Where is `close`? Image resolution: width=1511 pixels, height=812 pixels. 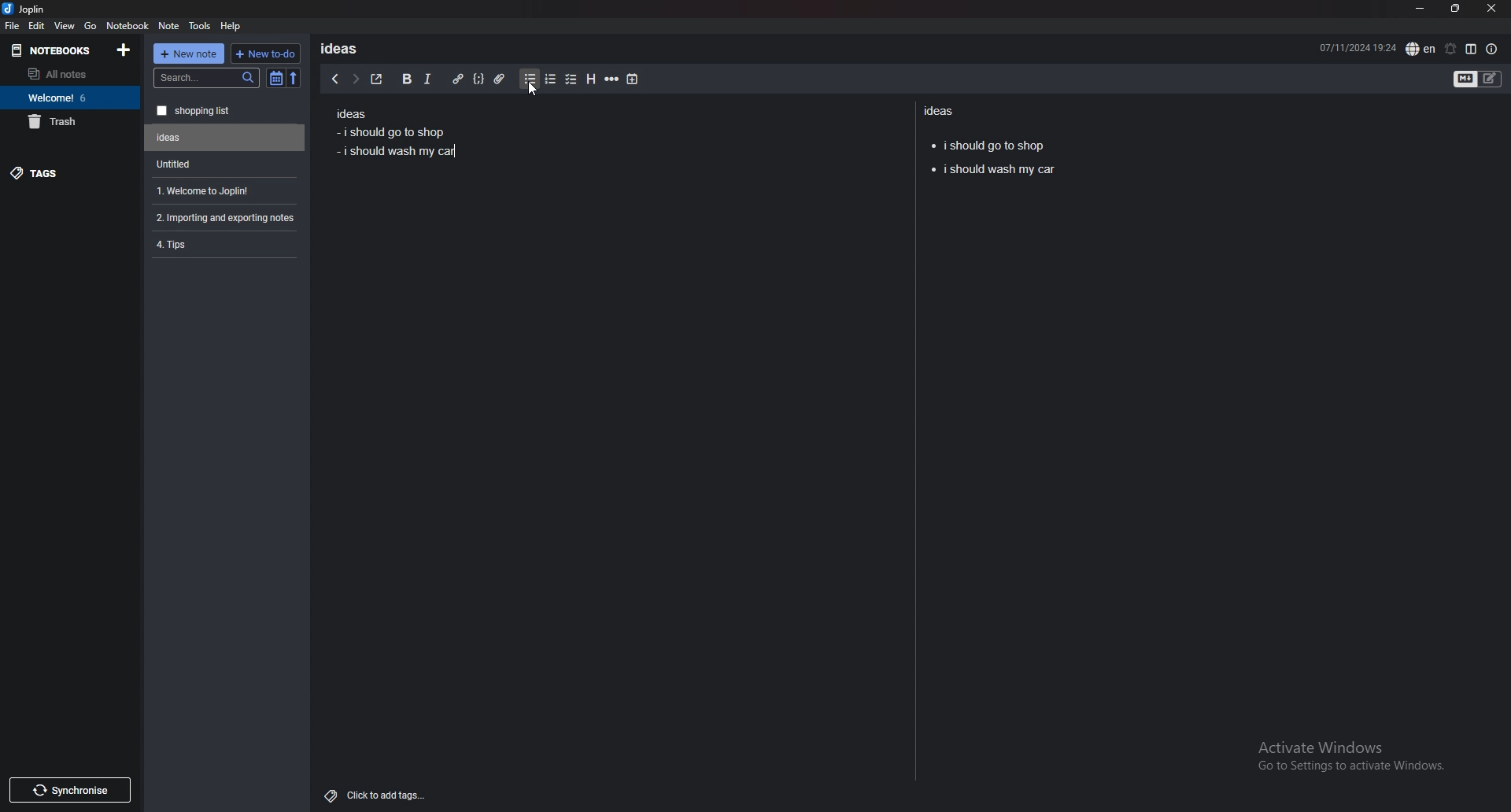
close is located at coordinates (1491, 9).